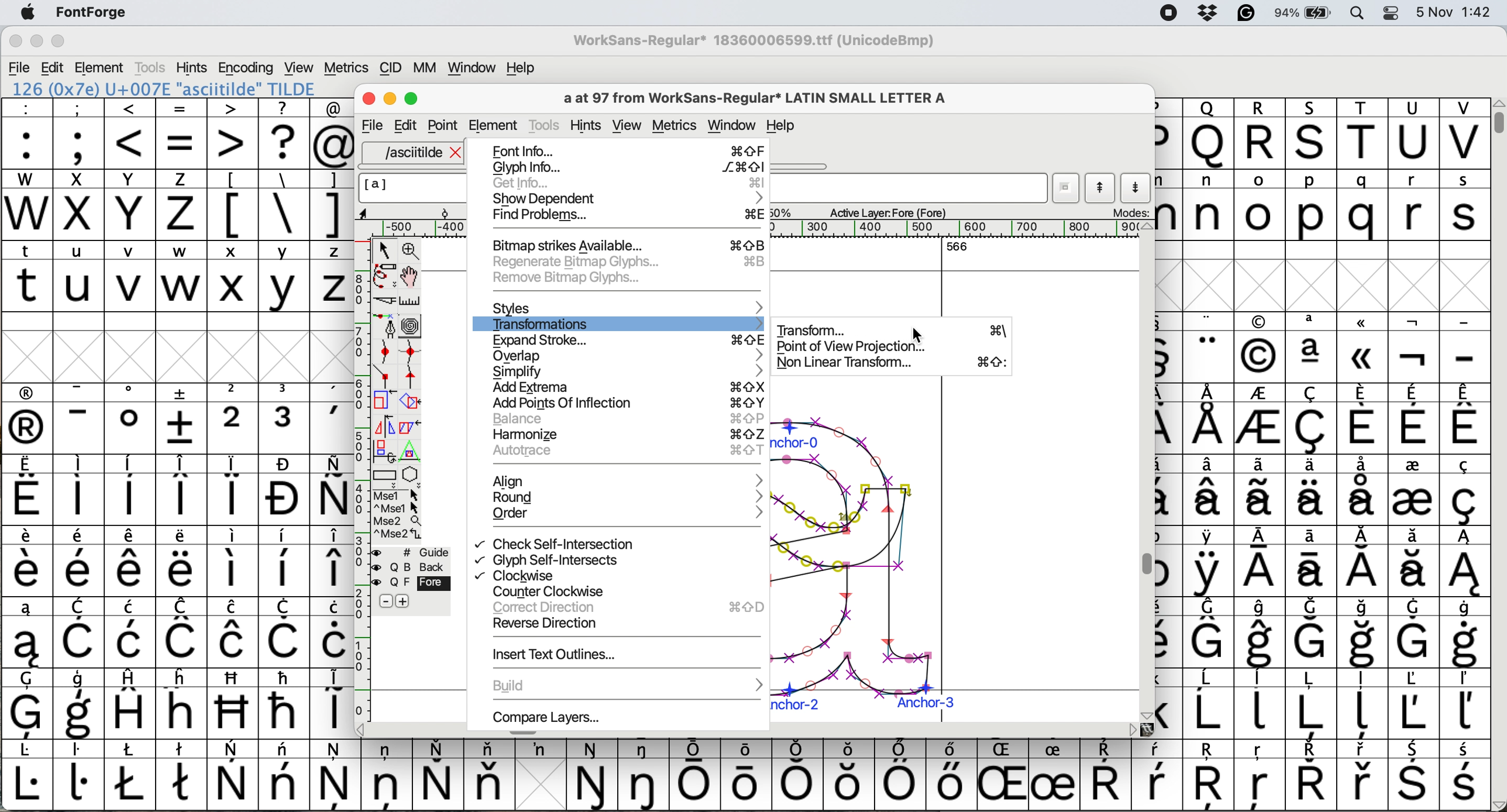 This screenshot has height=812, width=1507. Describe the element at coordinates (1364, 776) in the screenshot. I see `symbol` at that location.